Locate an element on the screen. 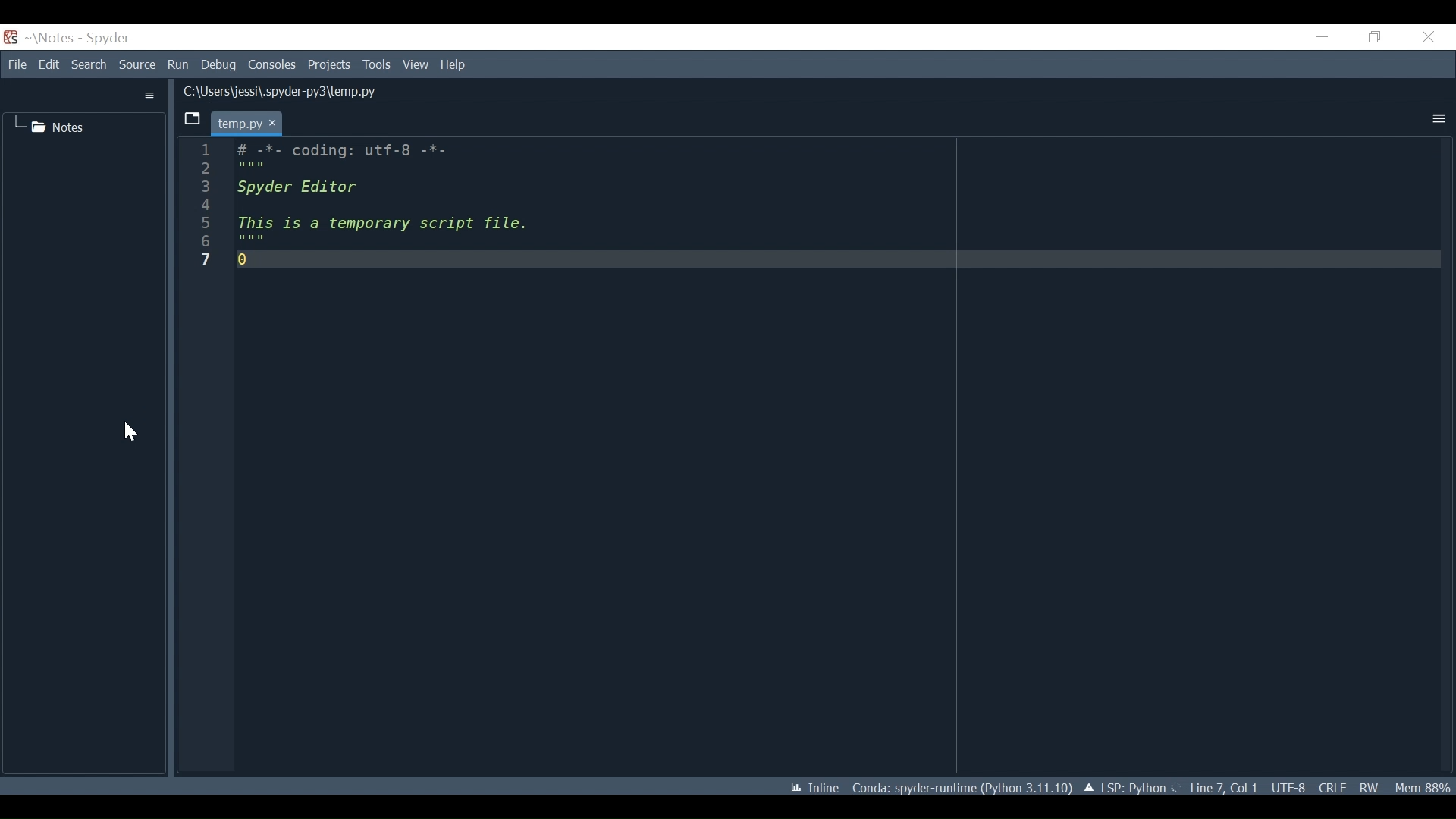 This screenshot has height=819, width=1456. Project Name is located at coordinates (49, 38).